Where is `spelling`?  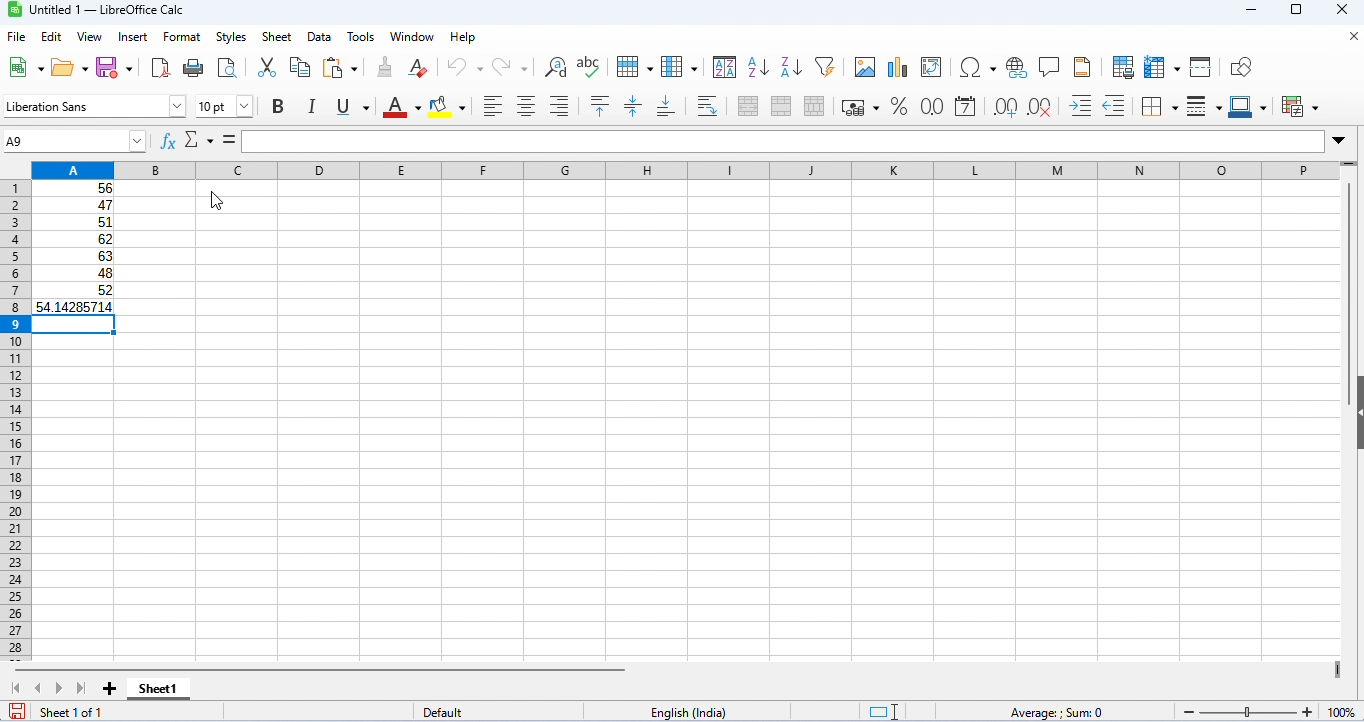
spelling is located at coordinates (590, 66).